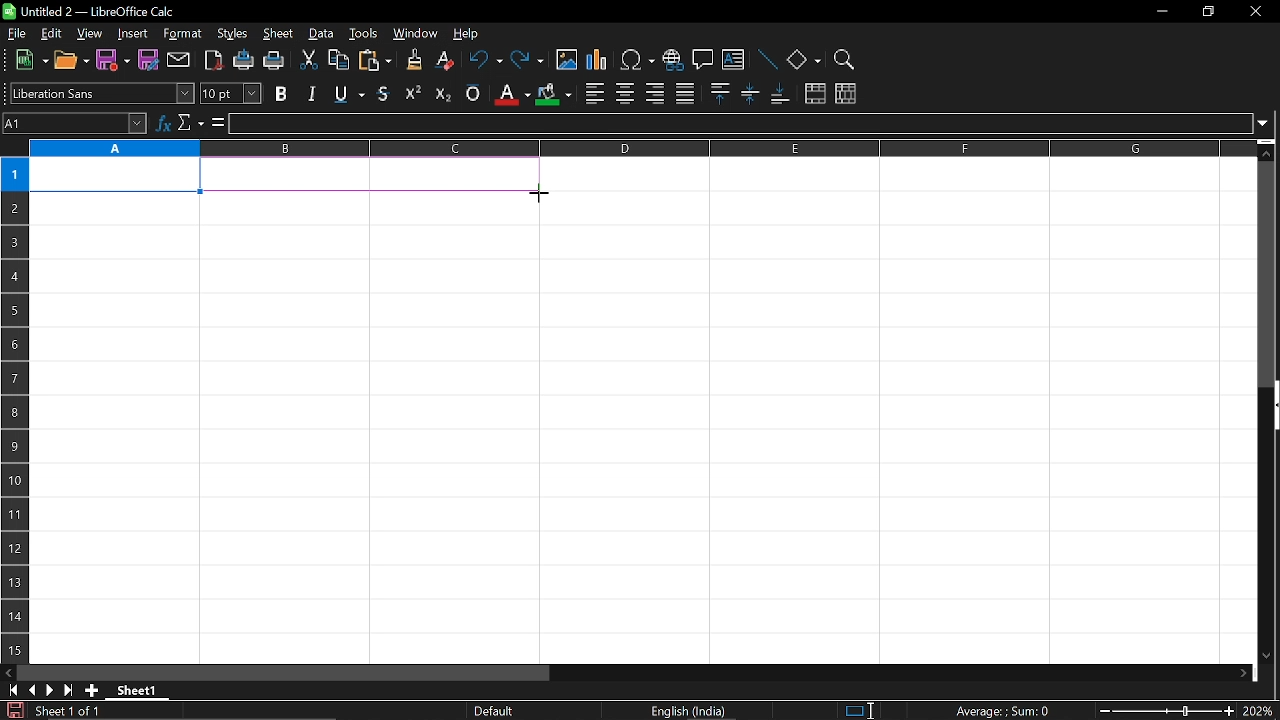  Describe the element at coordinates (12, 710) in the screenshot. I see `save ` at that location.